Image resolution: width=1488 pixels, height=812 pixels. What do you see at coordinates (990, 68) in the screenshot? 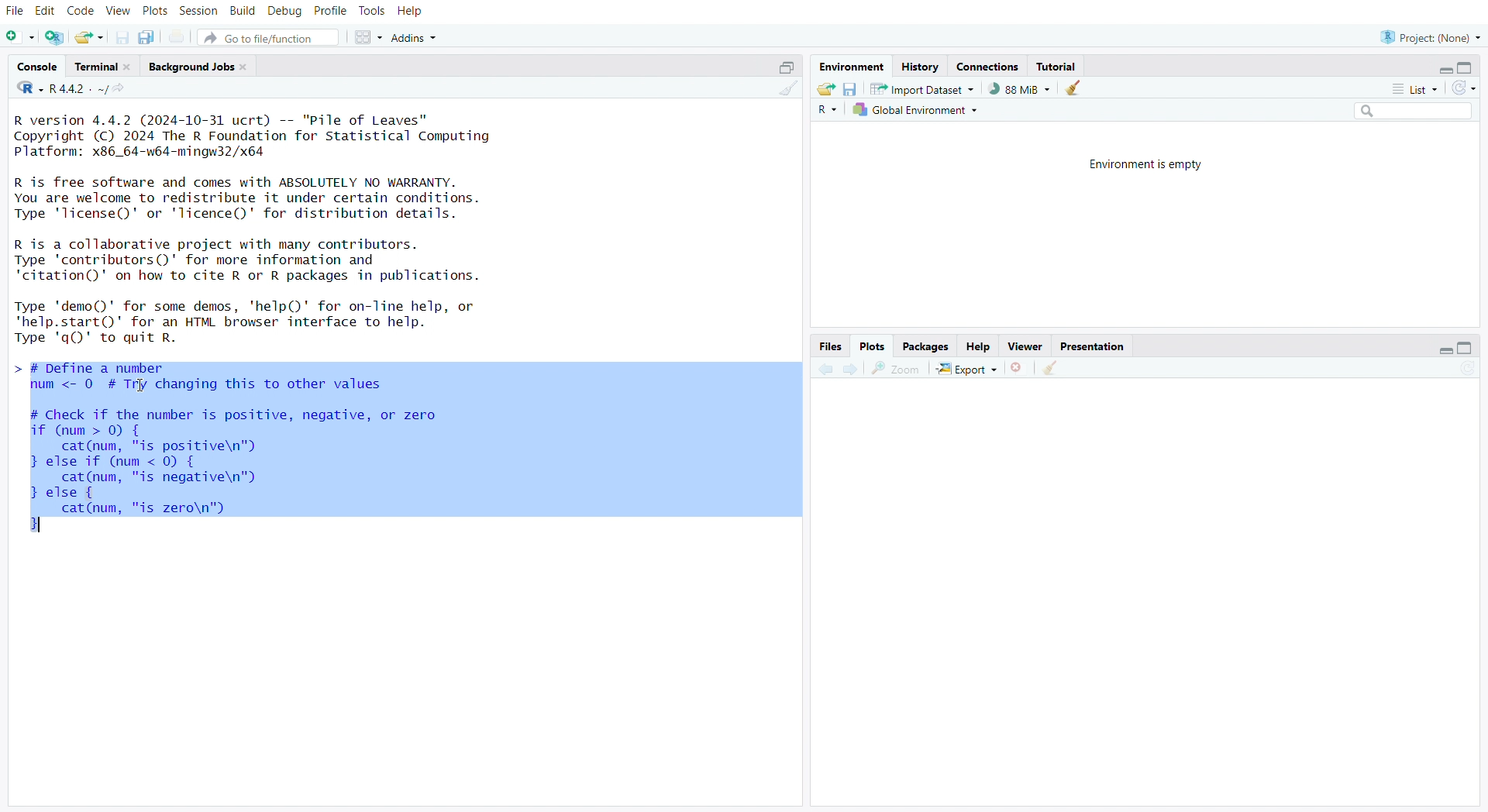
I see `connections` at bounding box center [990, 68].